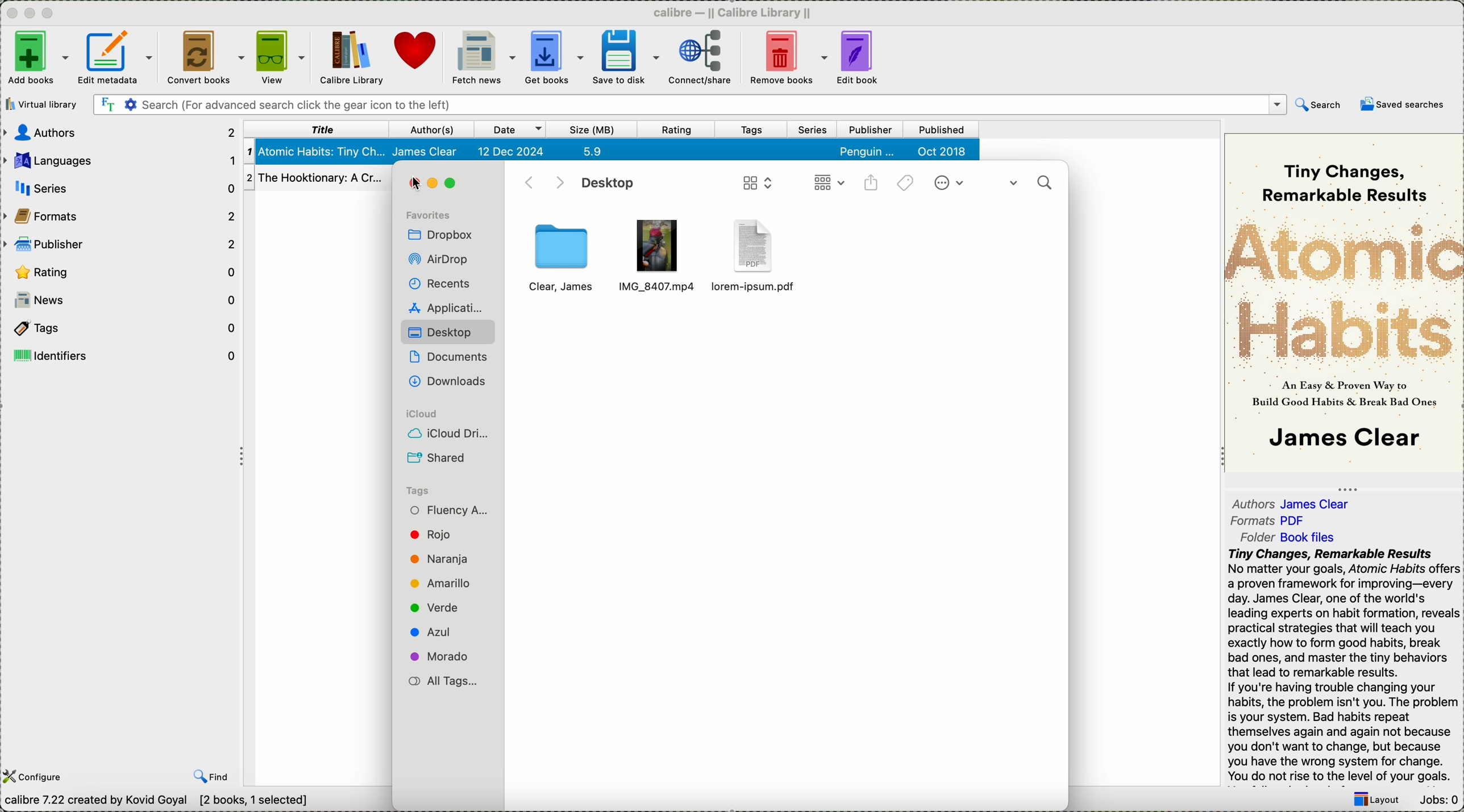 This screenshot has height=812, width=1464. I want to click on saved searches, so click(1403, 107).